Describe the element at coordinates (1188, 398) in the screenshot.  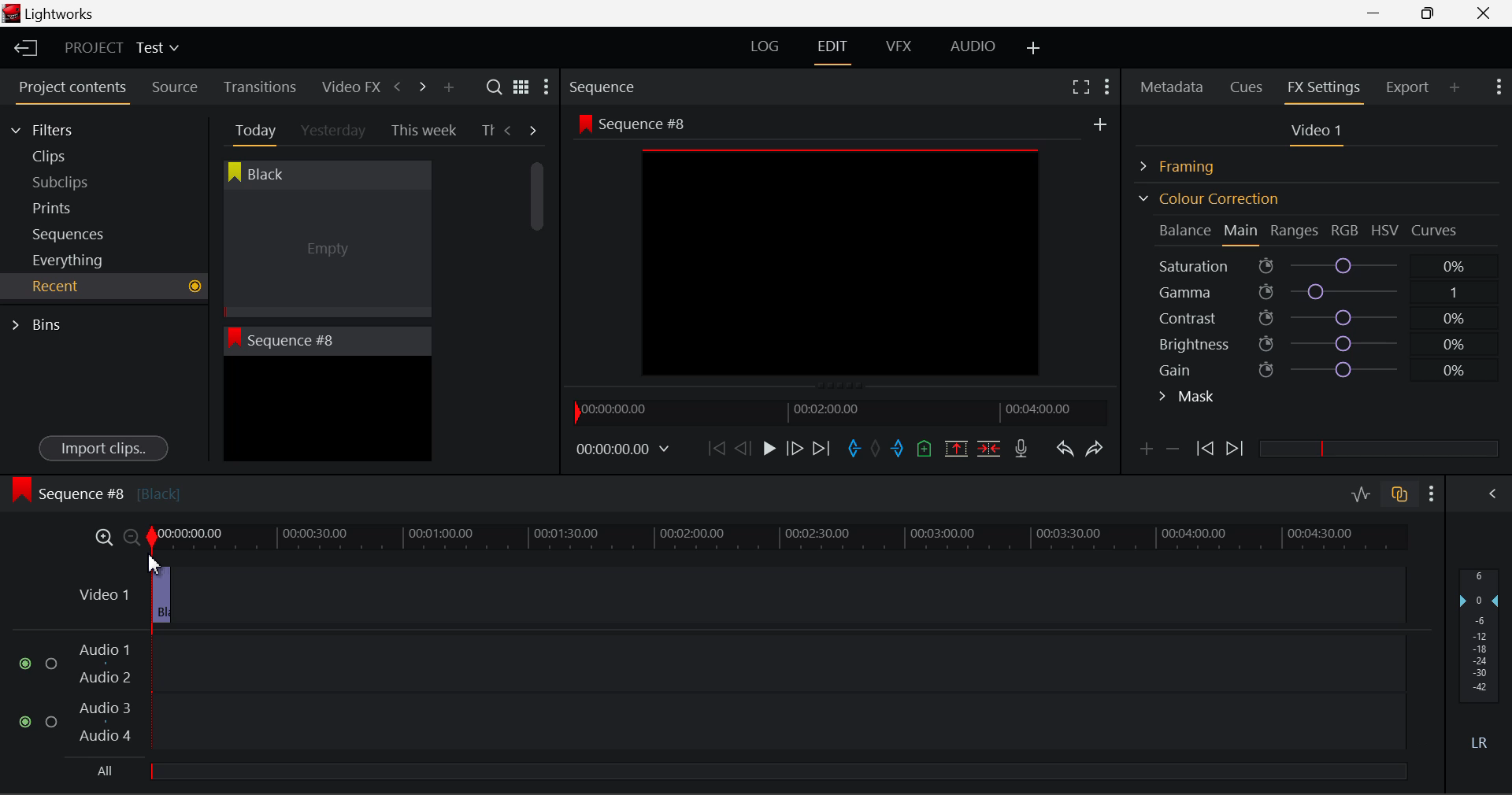
I see `Mask` at that location.